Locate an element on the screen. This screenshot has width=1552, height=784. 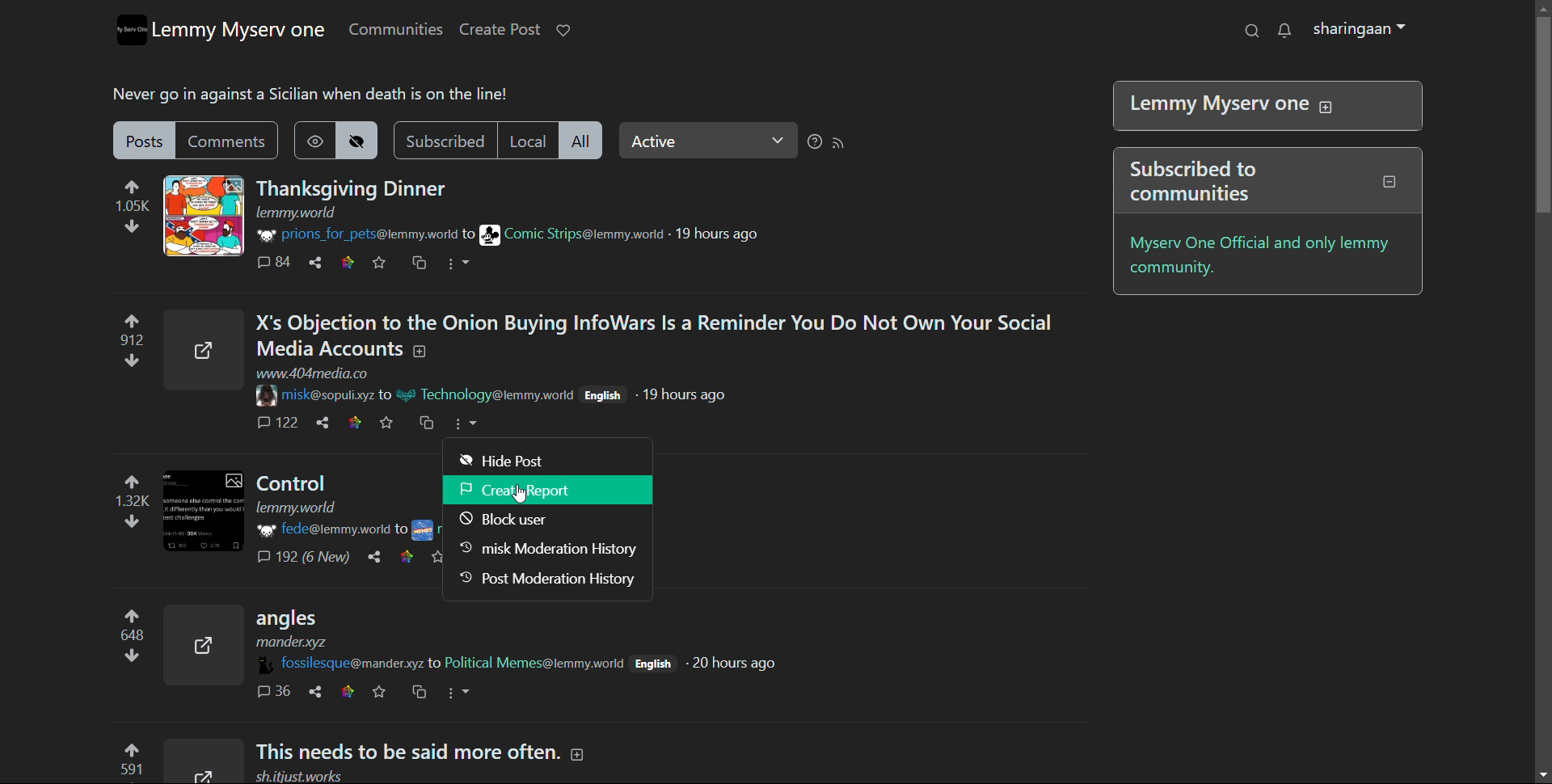
pointer is located at coordinates (521, 502).